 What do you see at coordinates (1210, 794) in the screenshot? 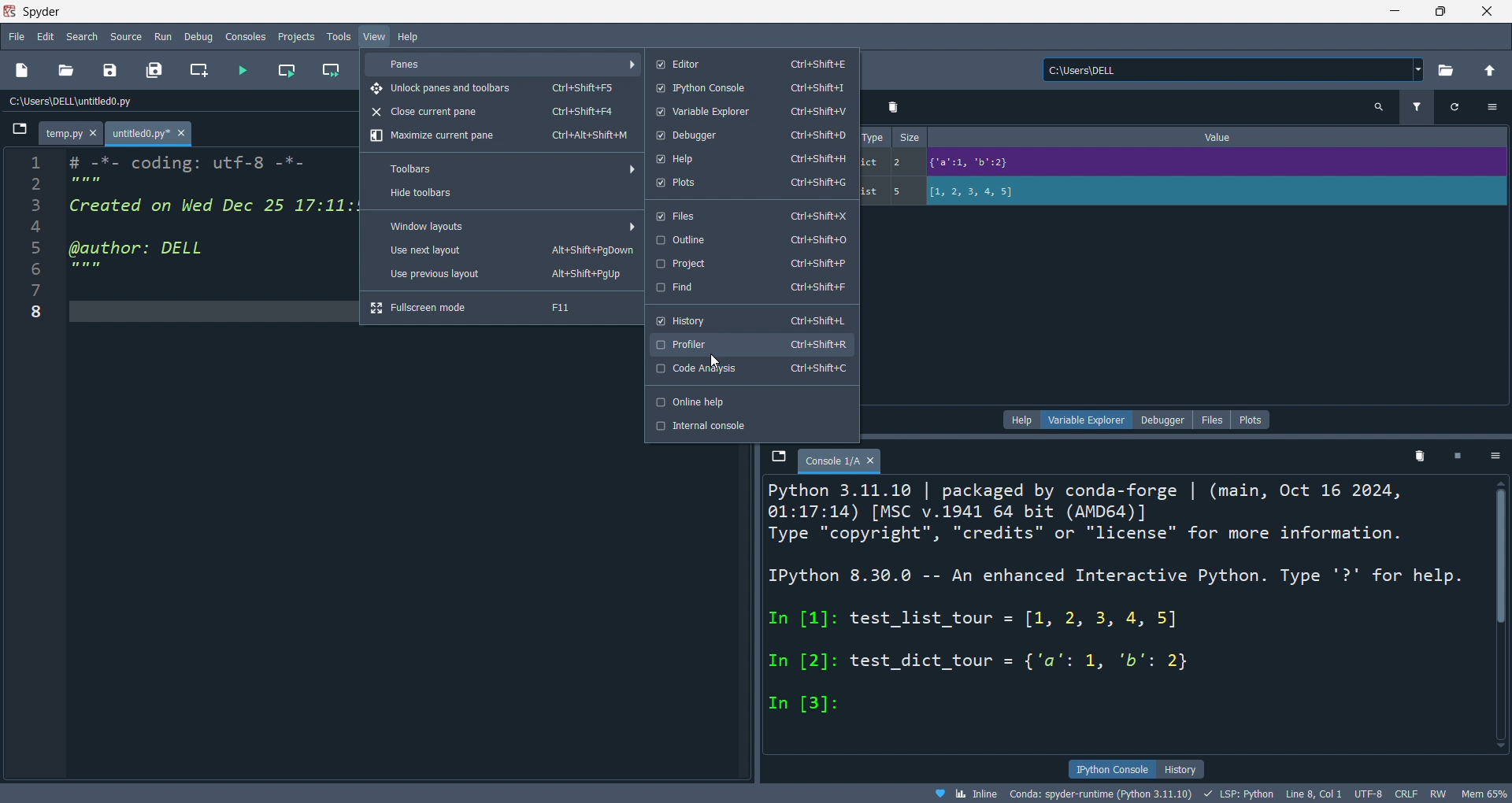
I see `Inline Conda: spyder-runtime (Python 3.11.10) LSP: Python Line 8, Col 1 UTF-8 CRLF RW Mem 65%` at bounding box center [1210, 794].